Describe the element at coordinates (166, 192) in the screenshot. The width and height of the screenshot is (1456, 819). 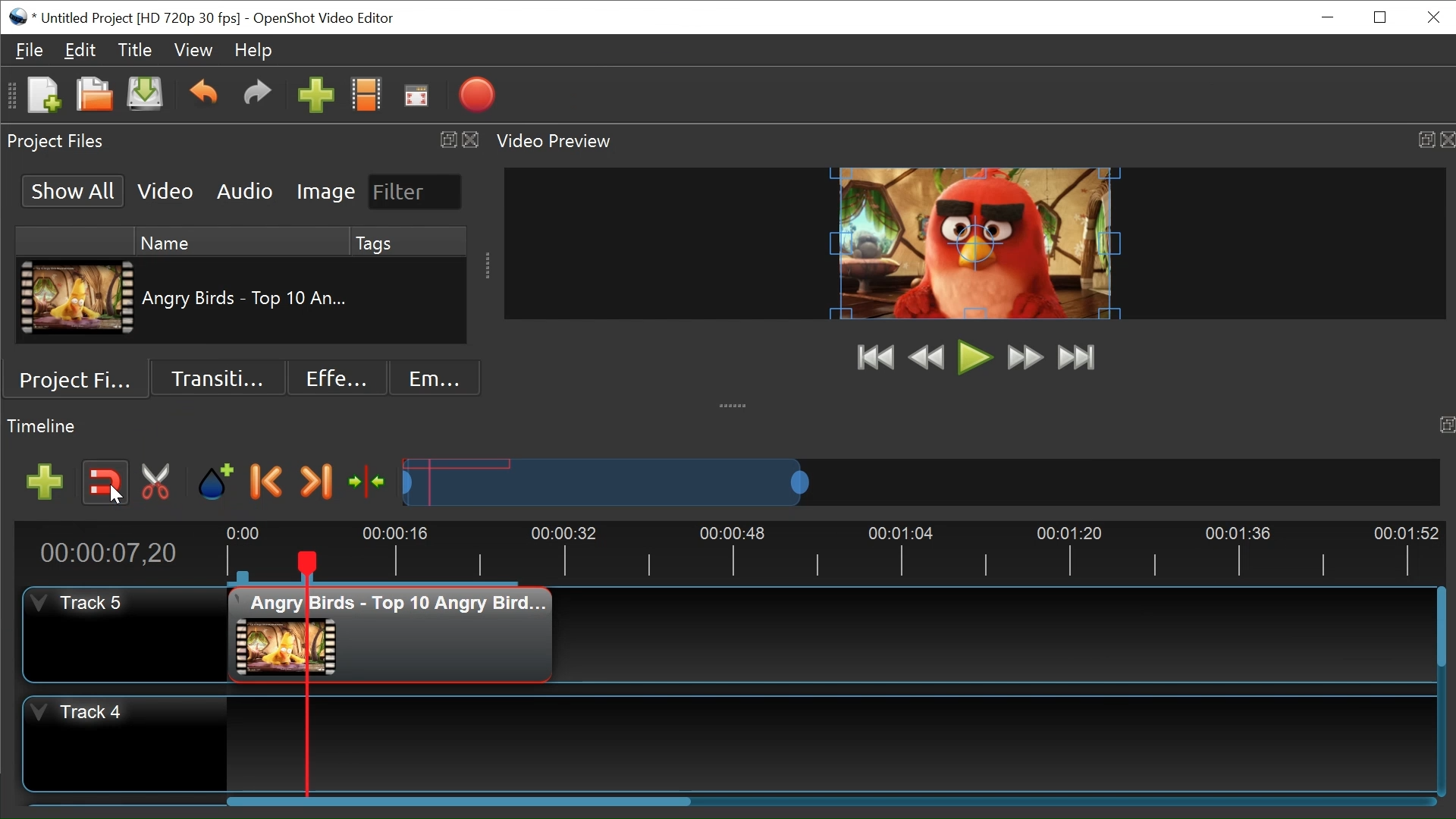
I see `Video` at that location.